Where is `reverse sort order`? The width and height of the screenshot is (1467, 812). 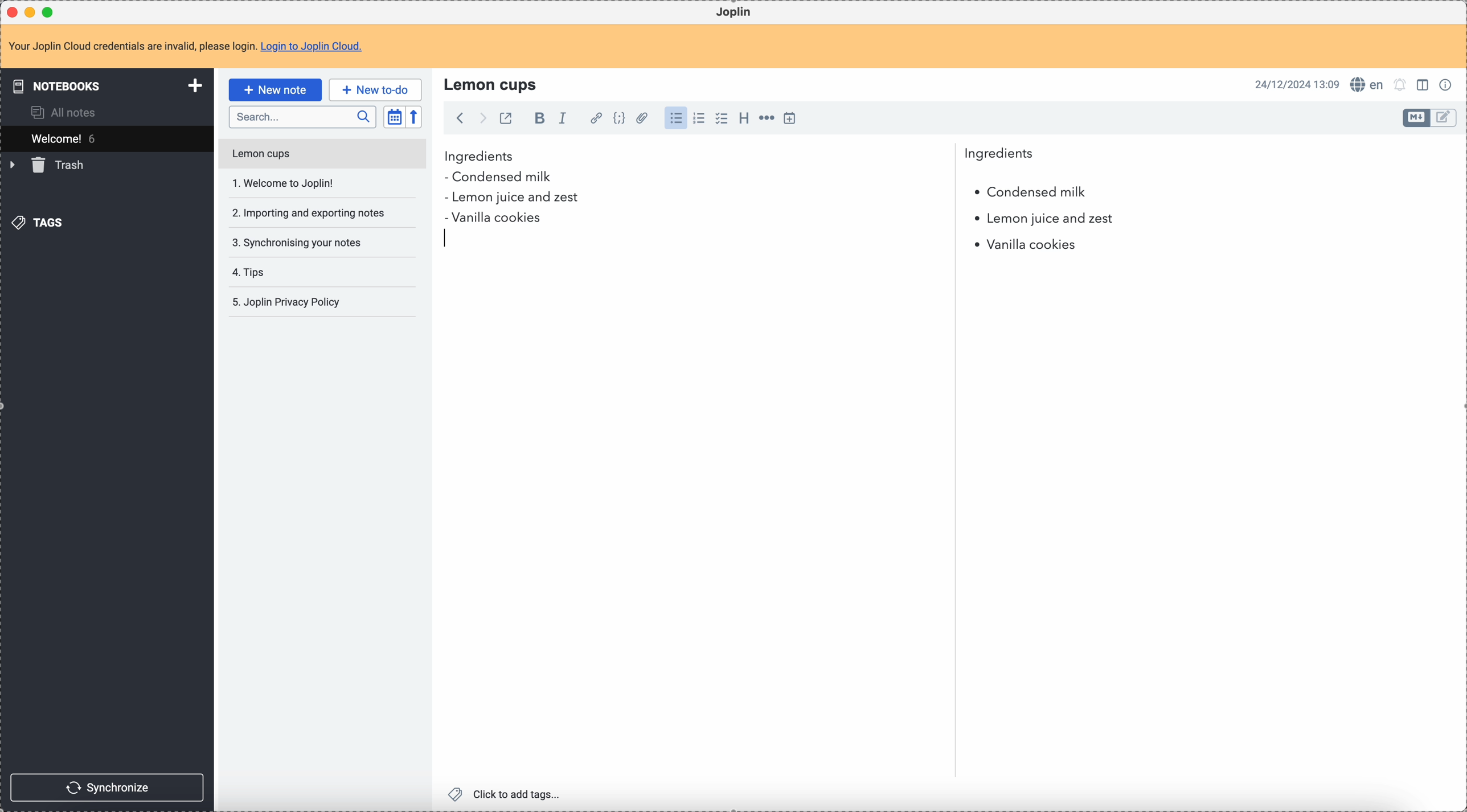 reverse sort order is located at coordinates (416, 117).